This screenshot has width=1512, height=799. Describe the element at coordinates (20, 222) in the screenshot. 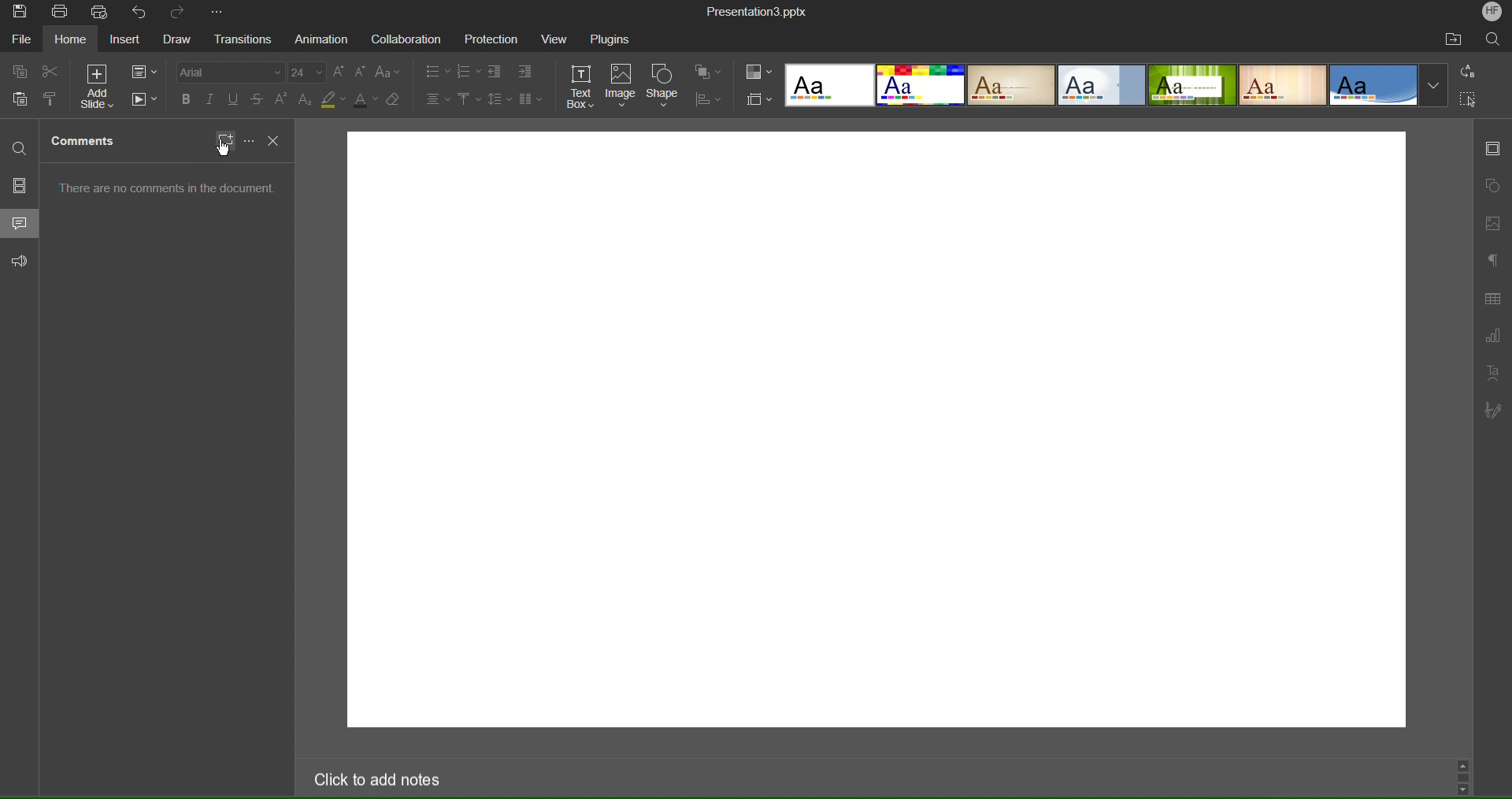

I see `Comments` at that location.